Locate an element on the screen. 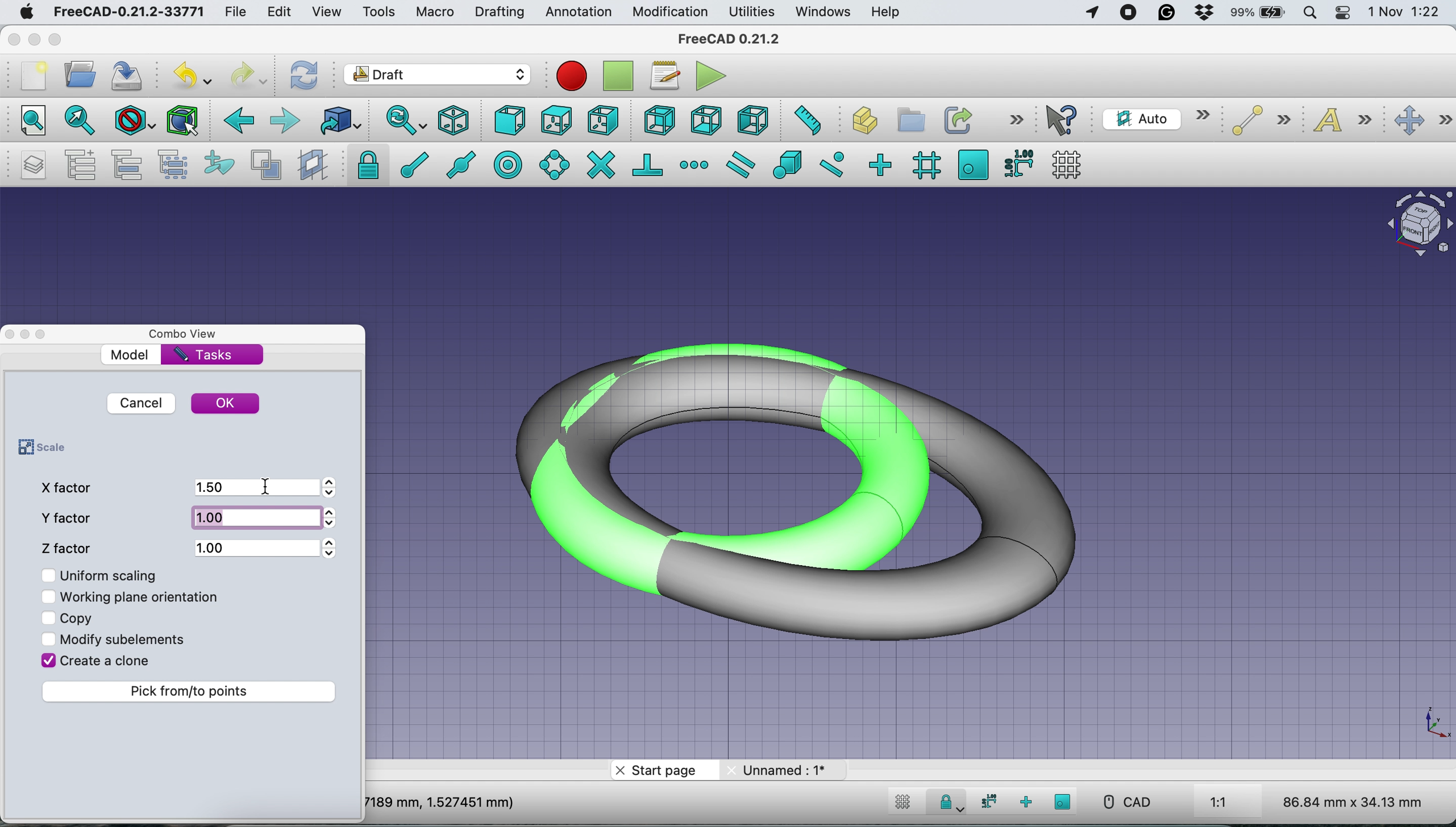  front is located at coordinates (509, 122).